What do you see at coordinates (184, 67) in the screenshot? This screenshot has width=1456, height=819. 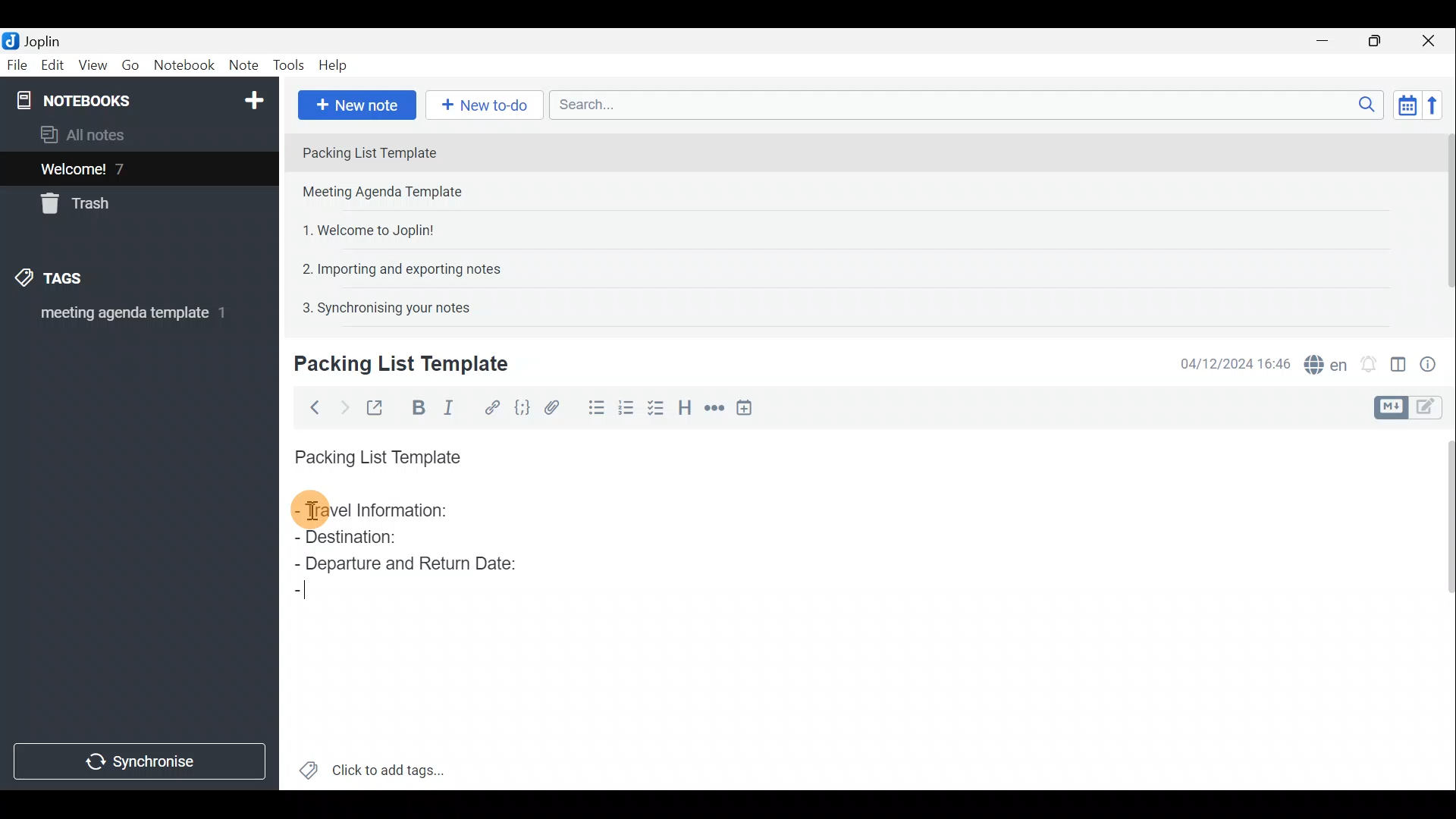 I see `Notebook` at bounding box center [184, 67].